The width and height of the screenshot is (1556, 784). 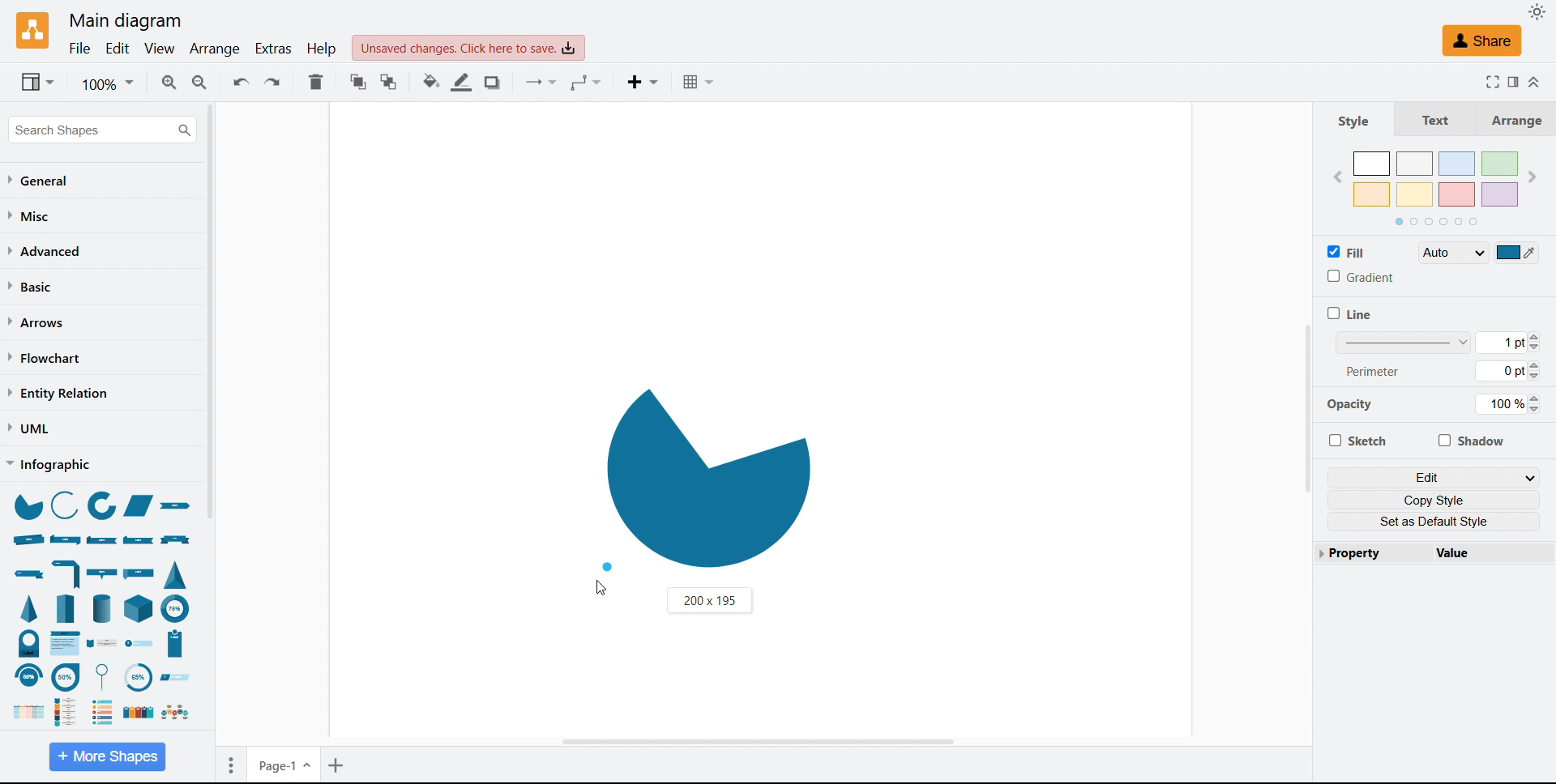 I want to click on Style , so click(x=1354, y=120).